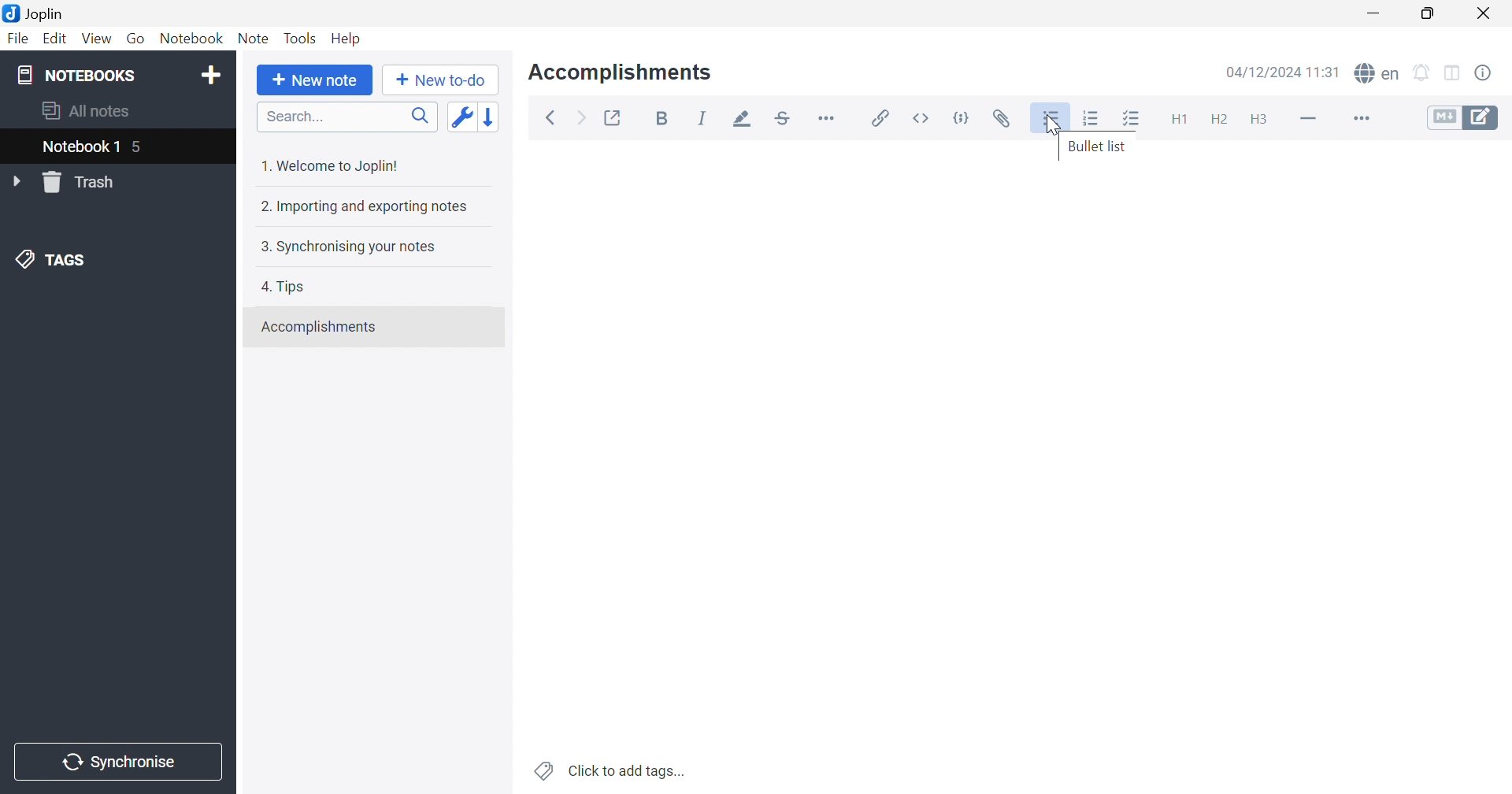  Describe the element at coordinates (83, 112) in the screenshot. I see `All notes` at that location.